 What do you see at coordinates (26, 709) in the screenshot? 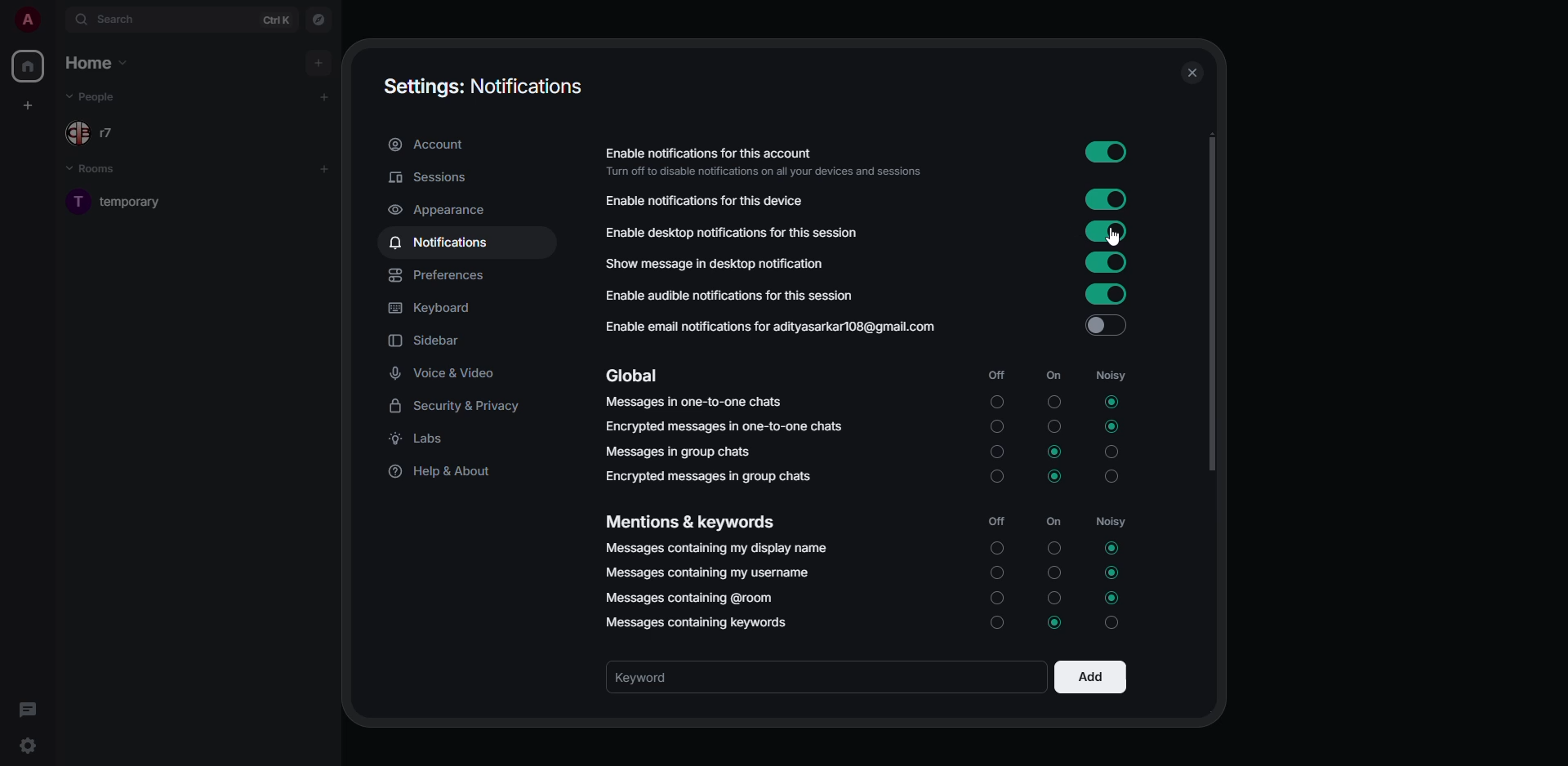
I see `threads` at bounding box center [26, 709].